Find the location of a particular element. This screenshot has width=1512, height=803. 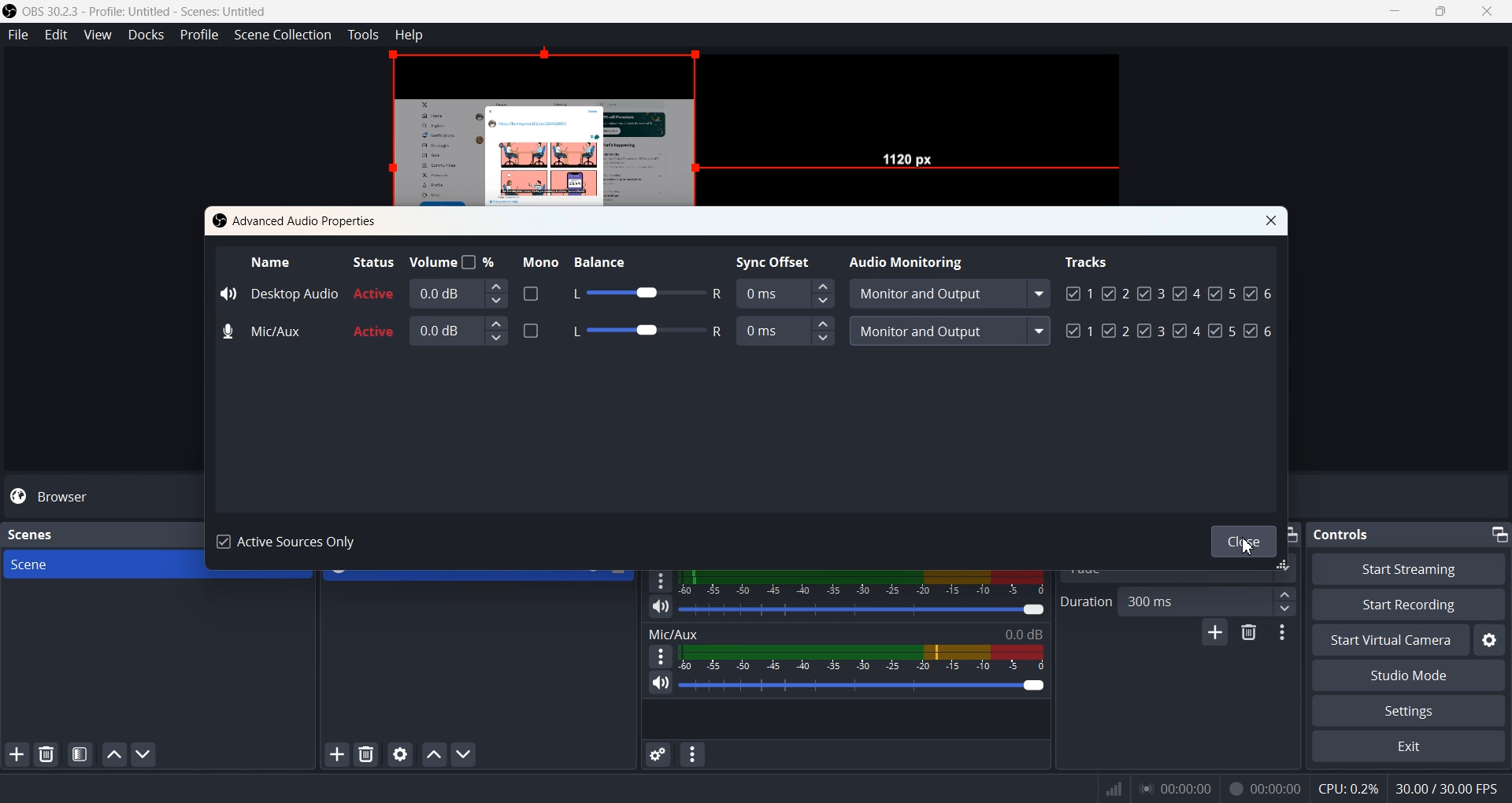

Advance audio properties is located at coordinates (656, 754).